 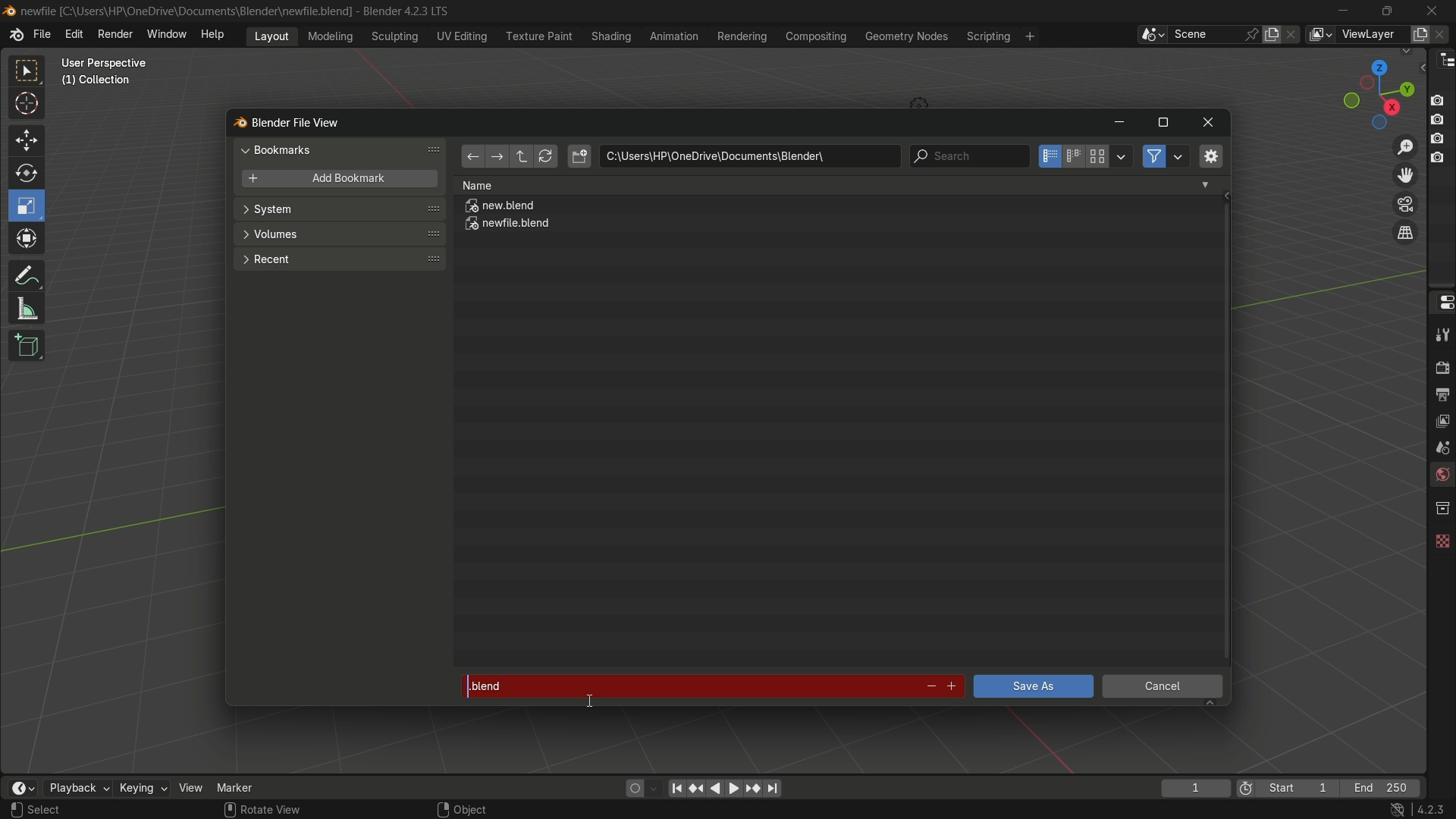 I want to click on view layer name, so click(x=1371, y=35).